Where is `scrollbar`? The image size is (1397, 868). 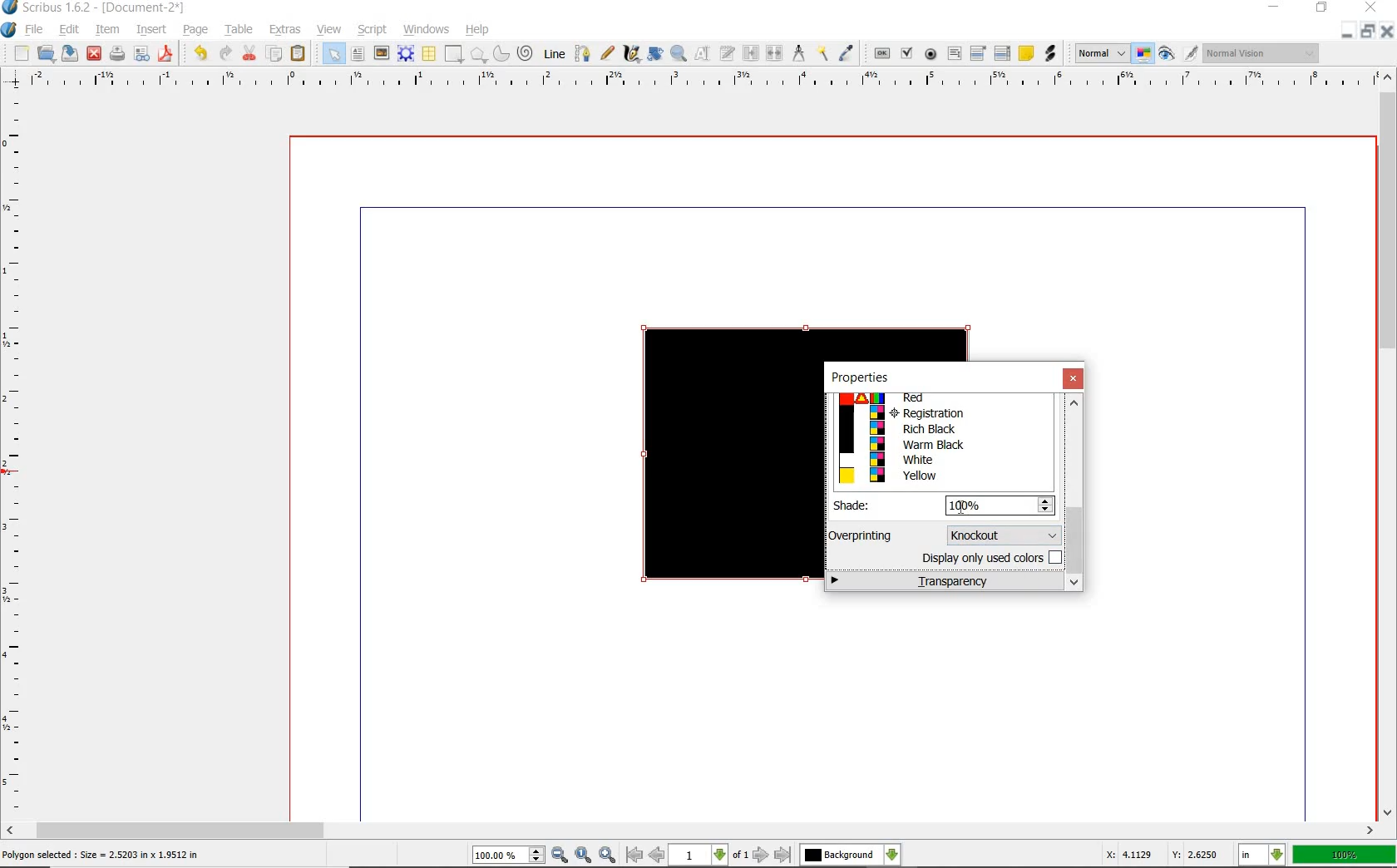
scrollbar is located at coordinates (691, 831).